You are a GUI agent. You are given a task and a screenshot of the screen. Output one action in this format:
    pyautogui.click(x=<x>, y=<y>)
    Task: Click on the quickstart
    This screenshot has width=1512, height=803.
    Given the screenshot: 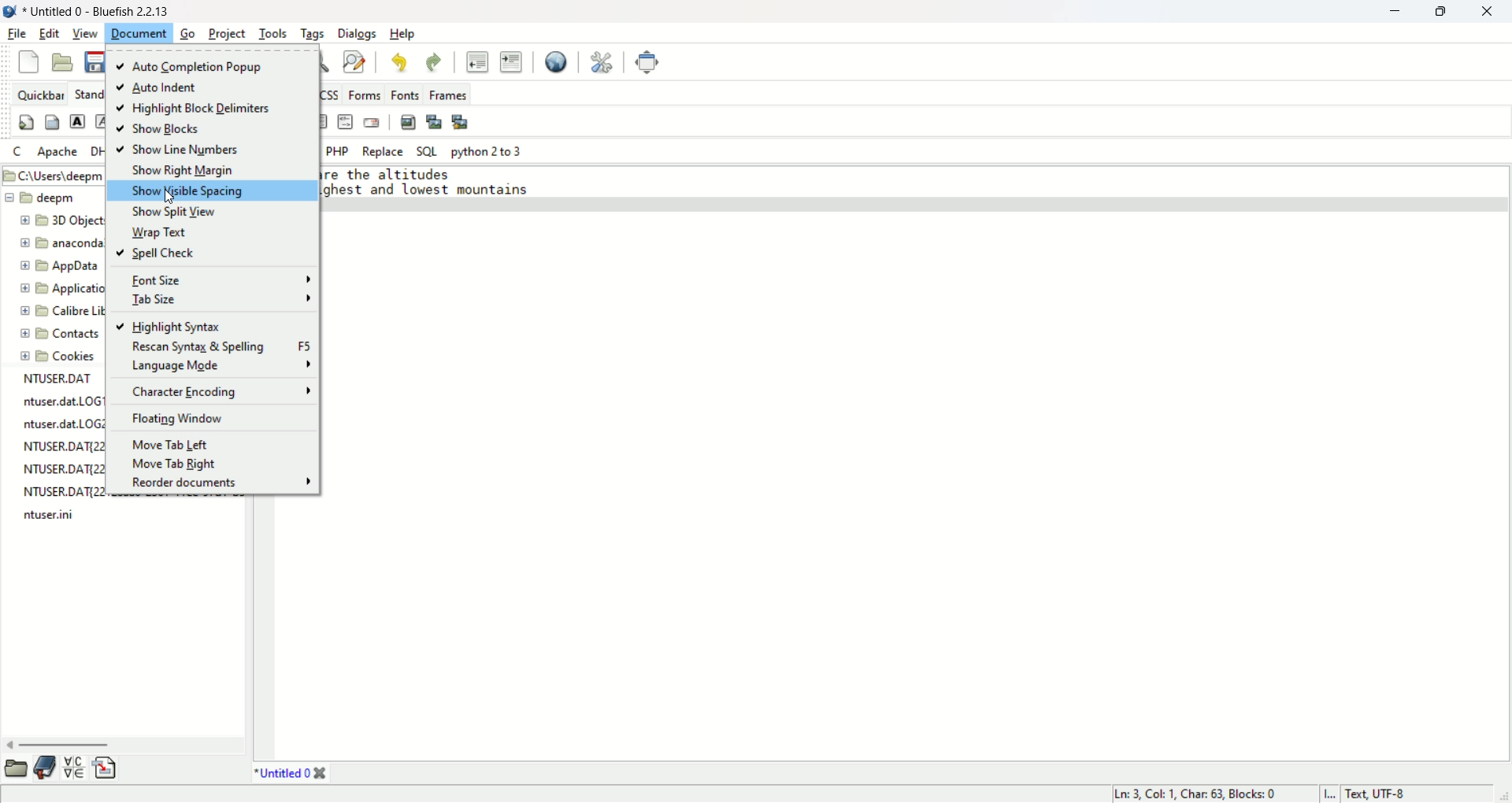 What is the action you would take?
    pyautogui.click(x=28, y=123)
    